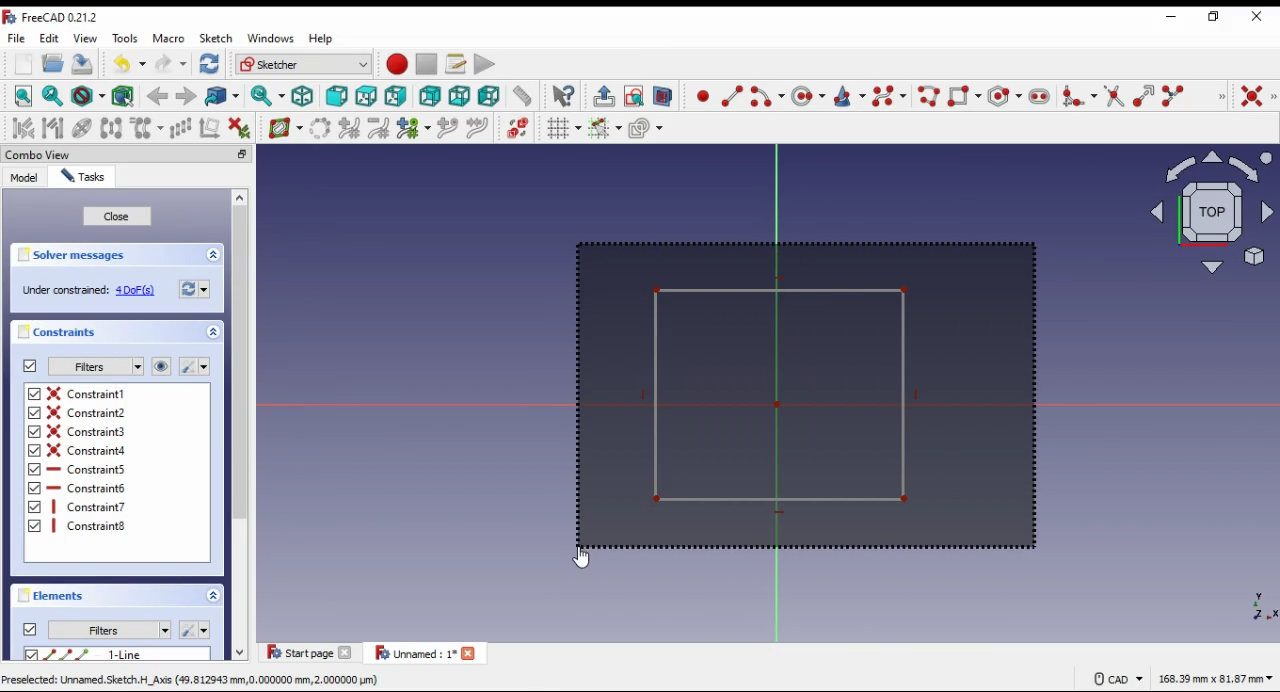  I want to click on Constraint, so click(91, 526).